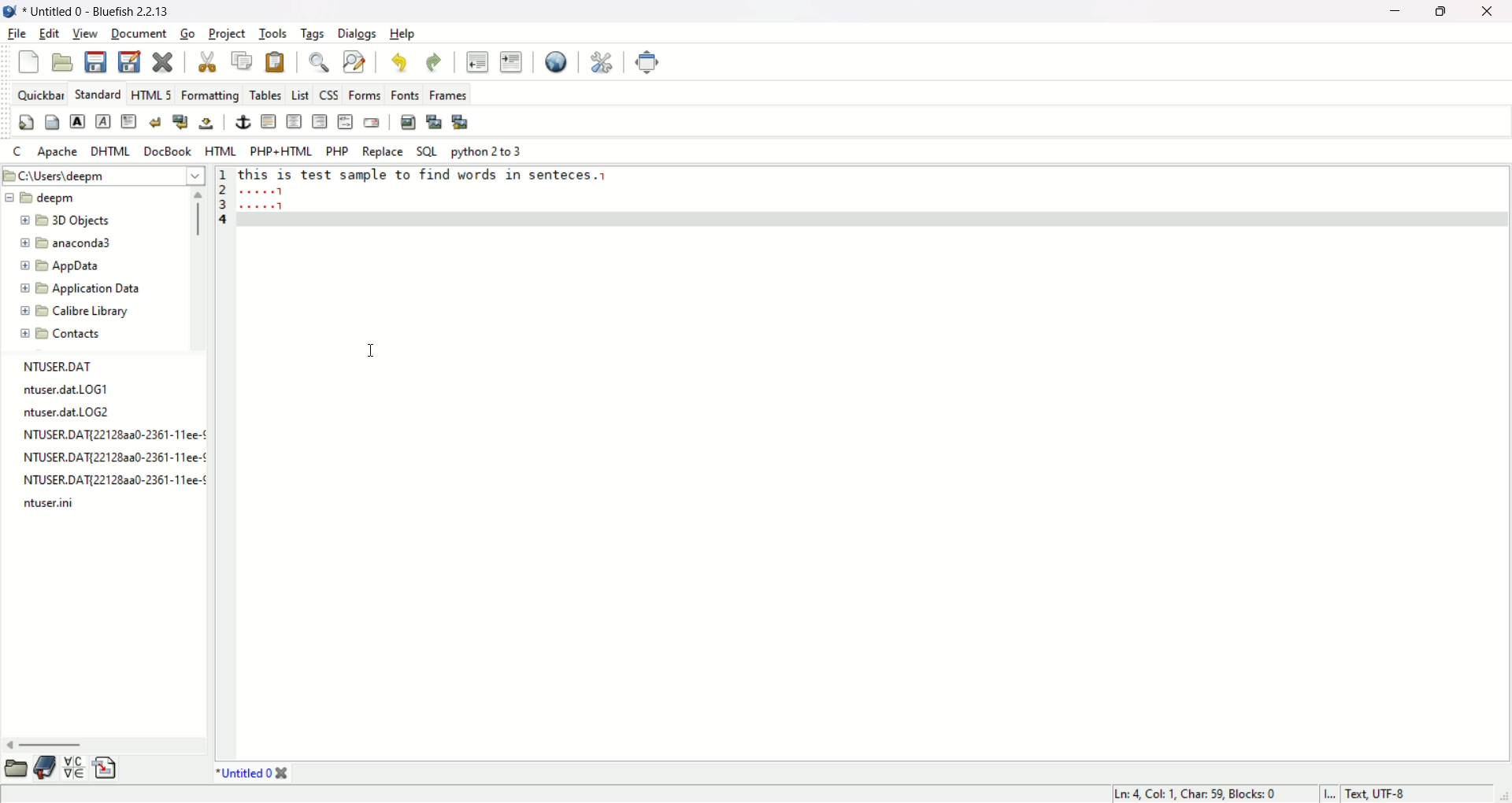 Image resolution: width=1512 pixels, height=803 pixels. I want to click on email, so click(372, 122).